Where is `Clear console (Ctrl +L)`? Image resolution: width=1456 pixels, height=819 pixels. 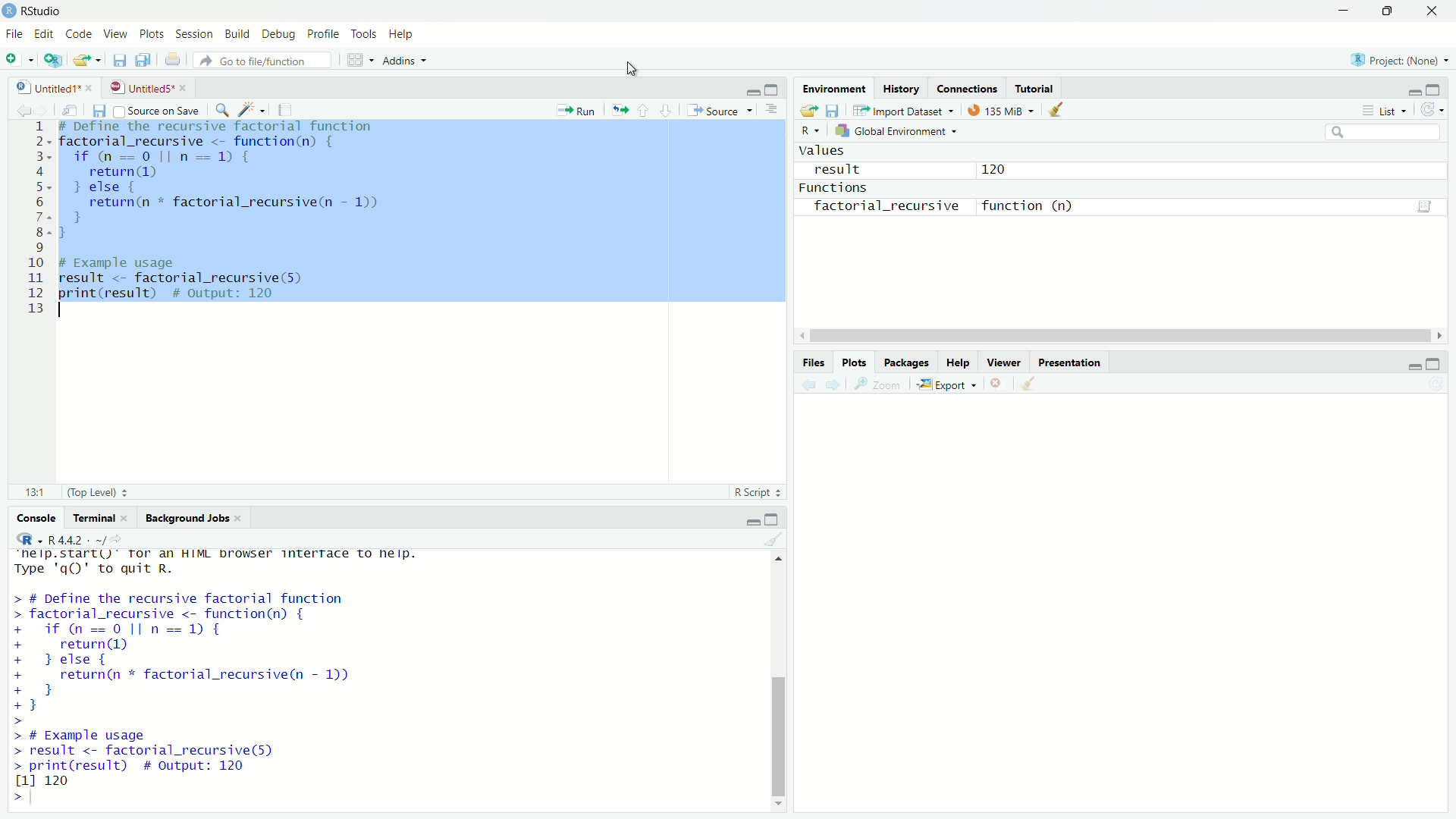
Clear console (Ctrl +L) is located at coordinates (780, 540).